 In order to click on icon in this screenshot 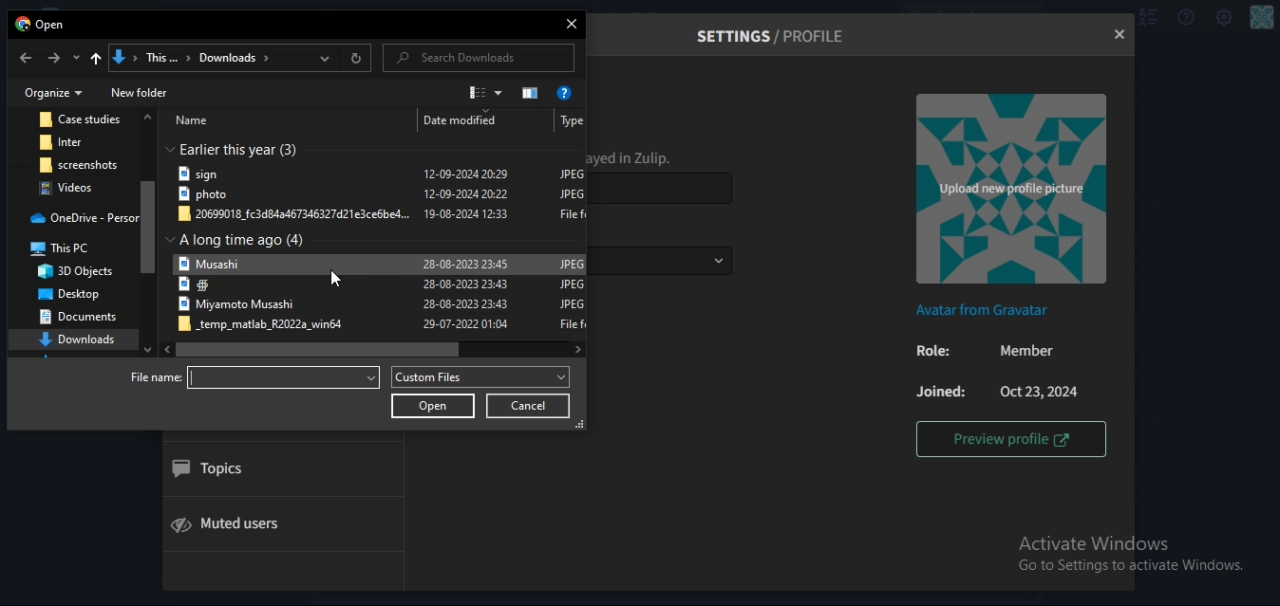, I will do `click(532, 92)`.